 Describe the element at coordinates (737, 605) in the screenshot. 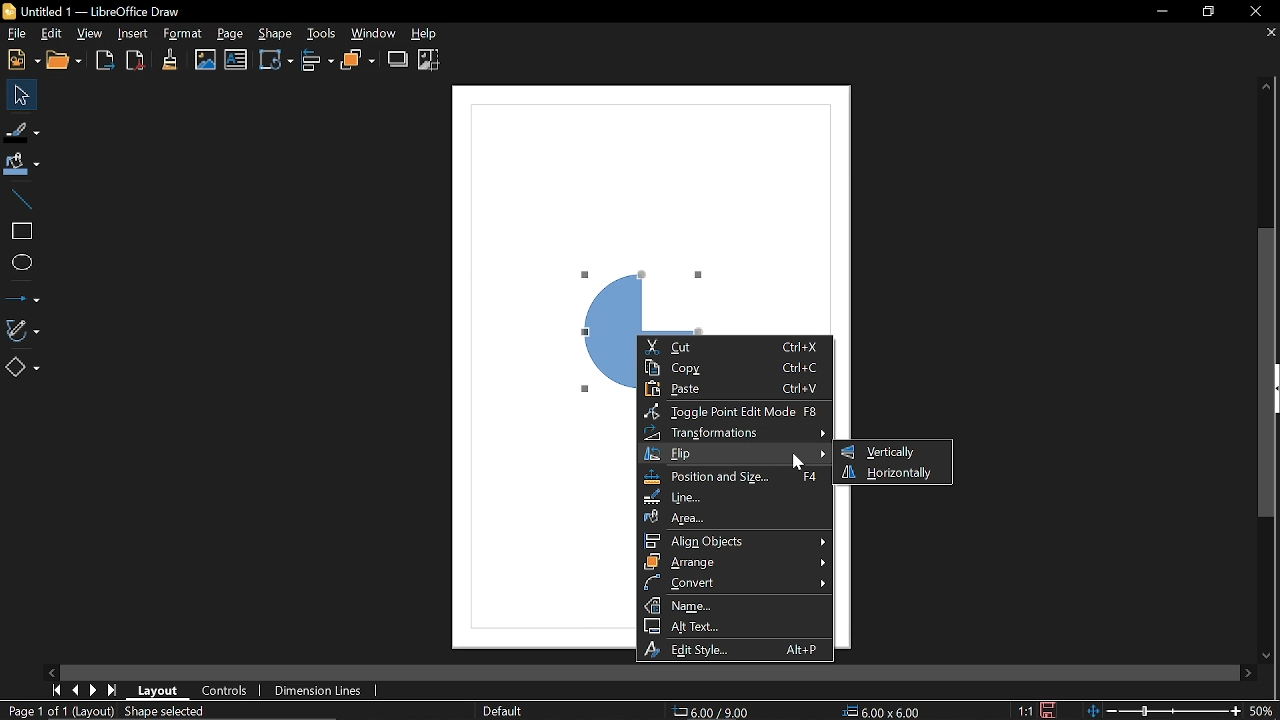

I see `Name` at that location.